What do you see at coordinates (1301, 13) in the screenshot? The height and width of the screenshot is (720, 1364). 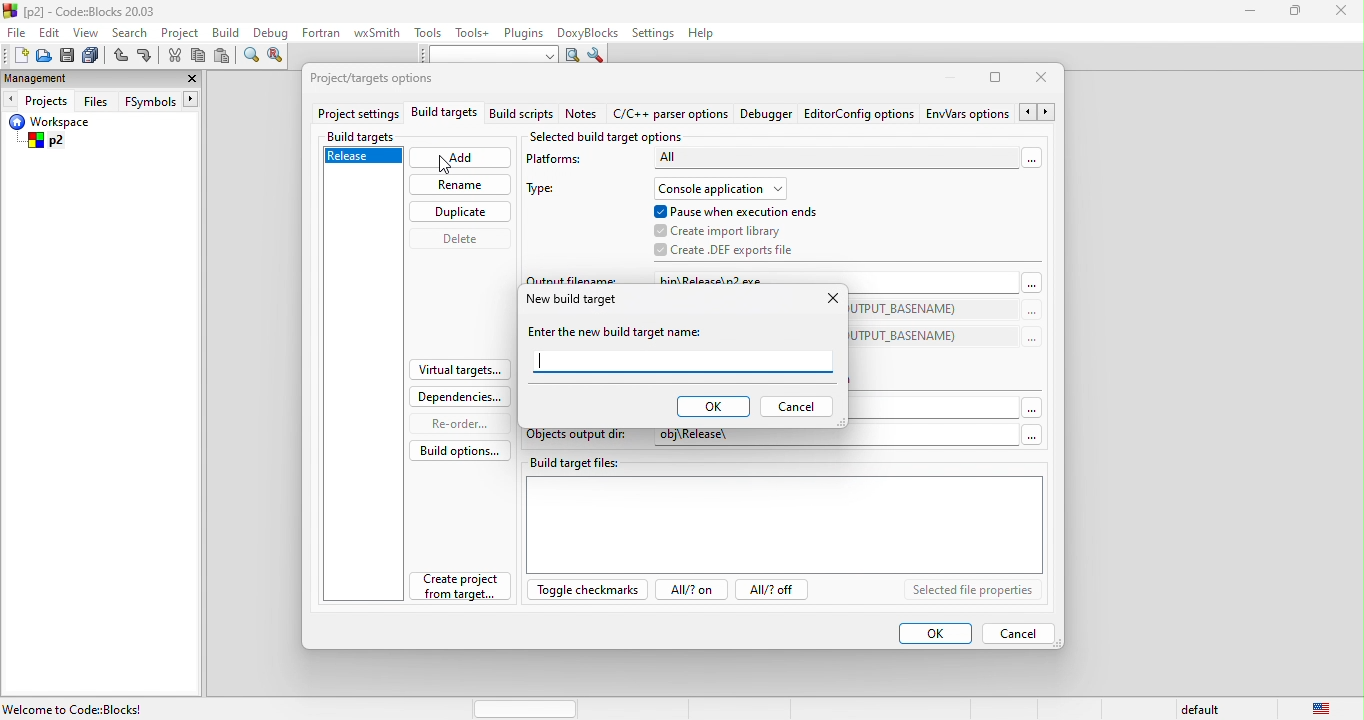 I see `maximize` at bounding box center [1301, 13].